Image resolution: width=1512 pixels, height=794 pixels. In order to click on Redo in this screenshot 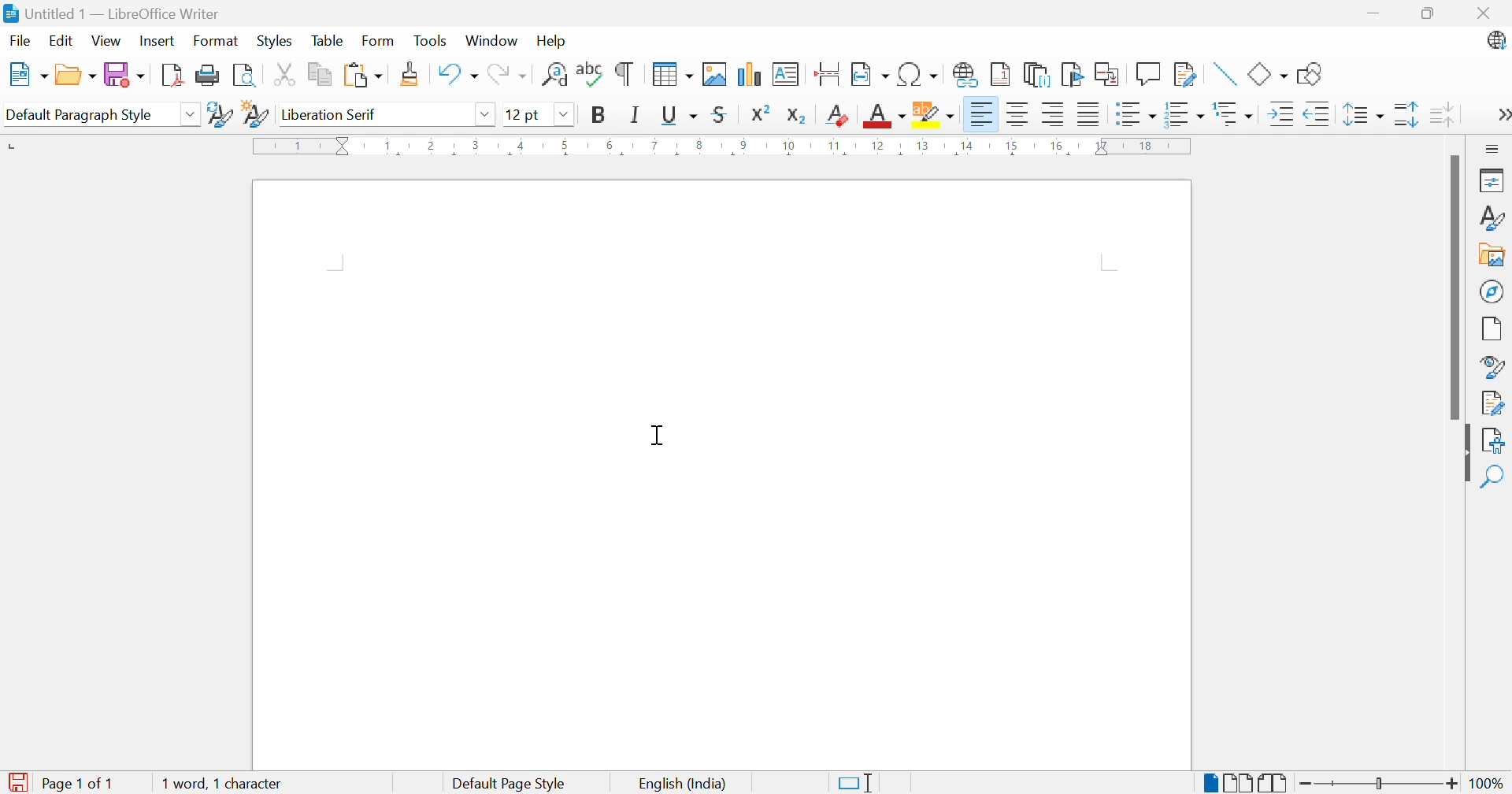, I will do `click(509, 76)`.